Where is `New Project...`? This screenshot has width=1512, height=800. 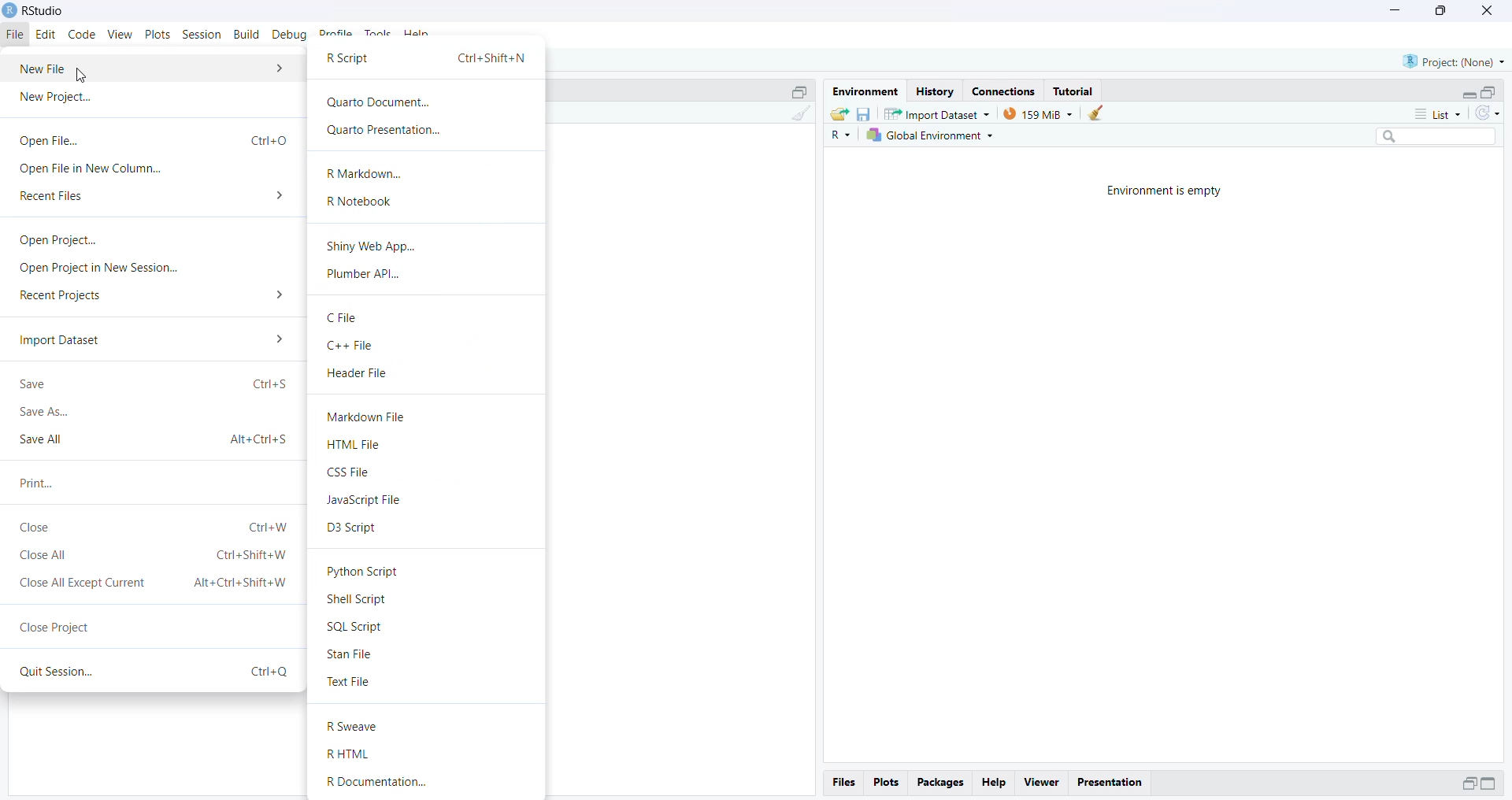
New Project... is located at coordinates (57, 98).